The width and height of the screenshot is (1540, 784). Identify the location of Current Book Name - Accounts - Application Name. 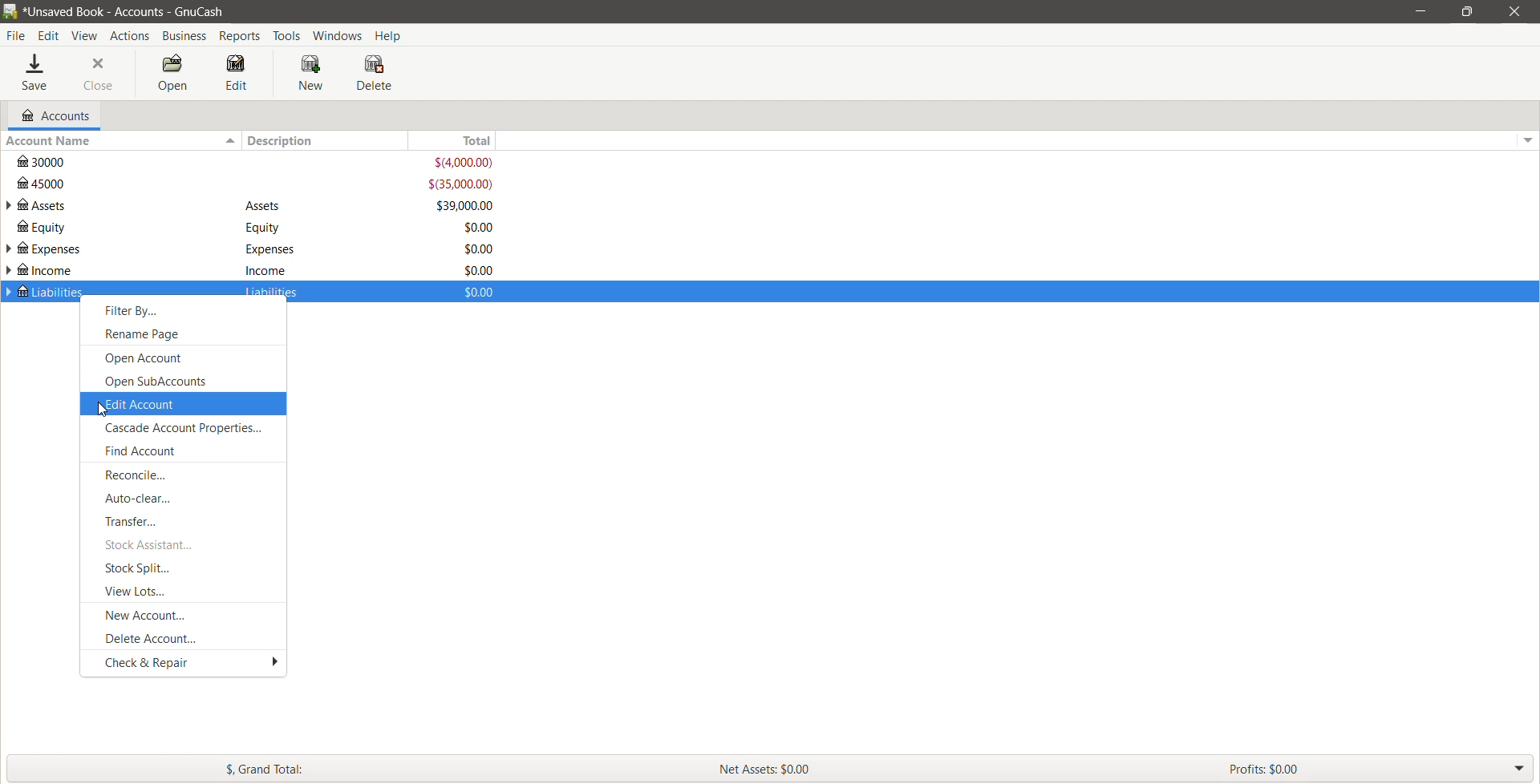
(136, 11).